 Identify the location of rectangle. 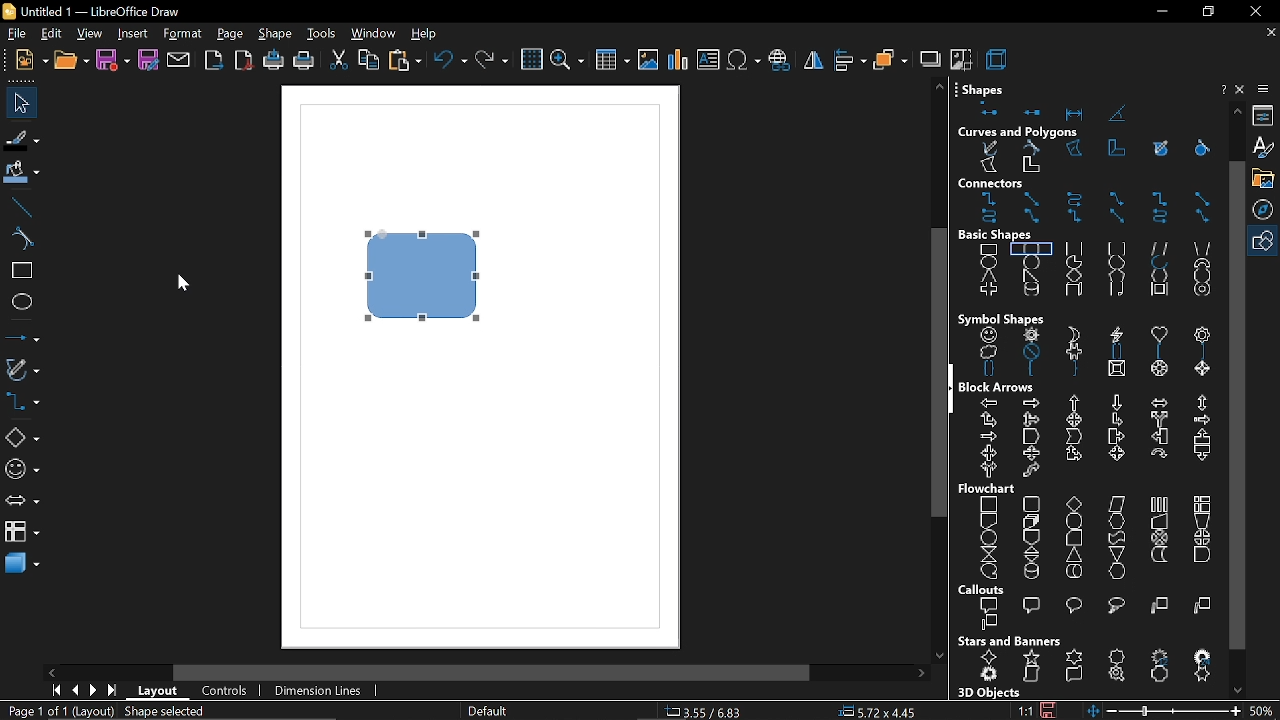
(22, 272).